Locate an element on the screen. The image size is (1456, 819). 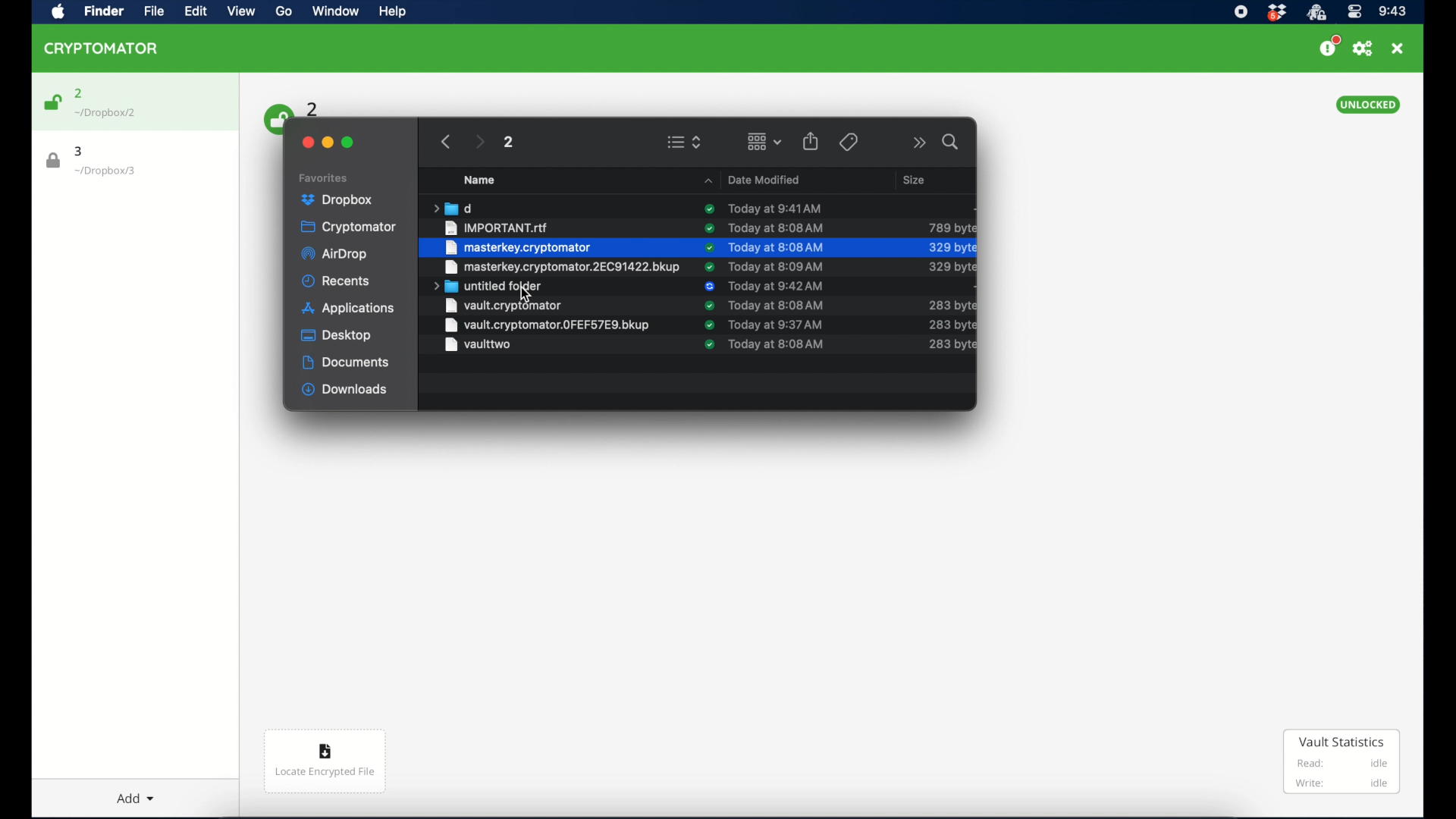
time is located at coordinates (1392, 12).